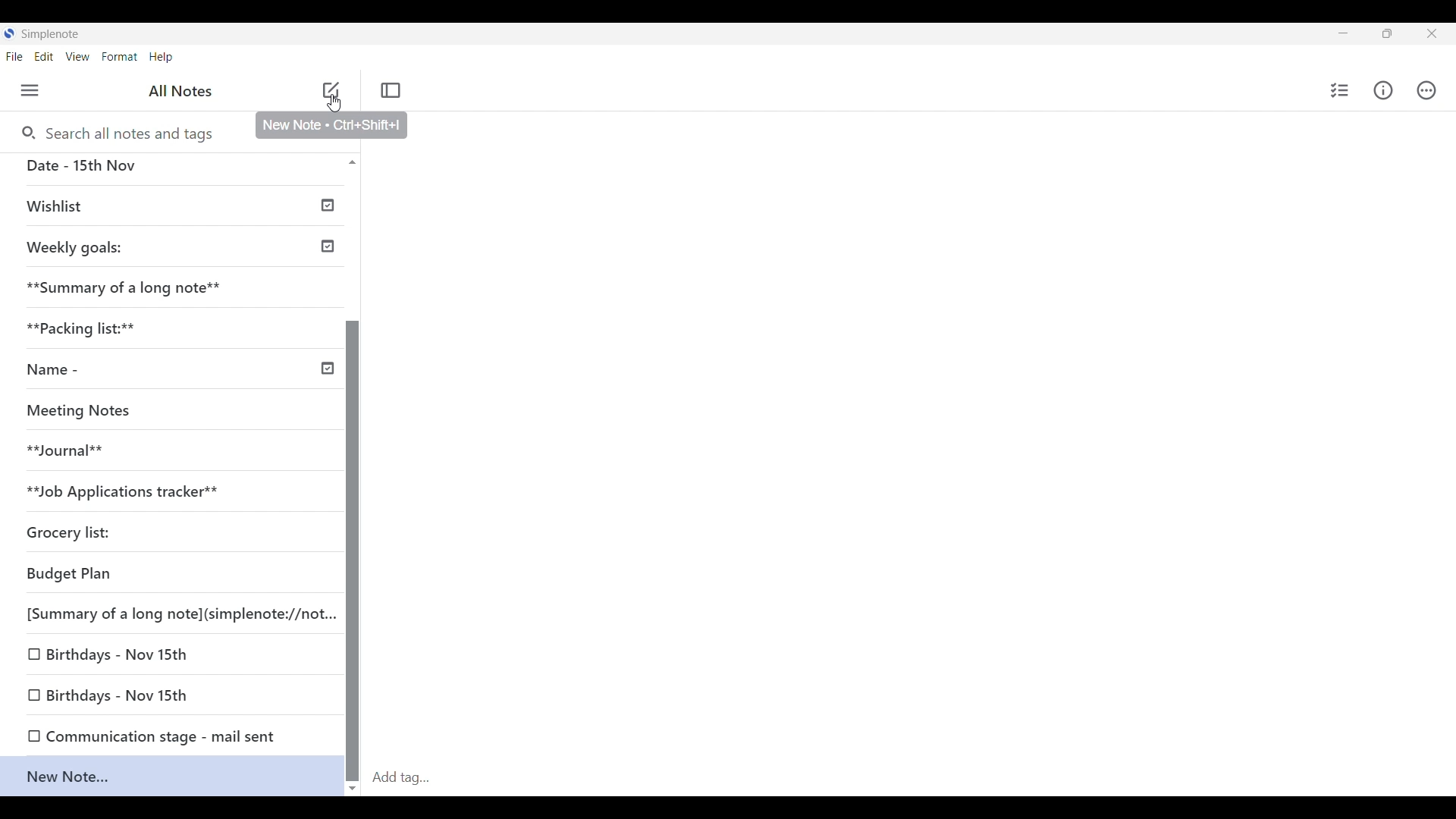 The width and height of the screenshot is (1456, 819). I want to click on Meeting Notes, so click(83, 410).